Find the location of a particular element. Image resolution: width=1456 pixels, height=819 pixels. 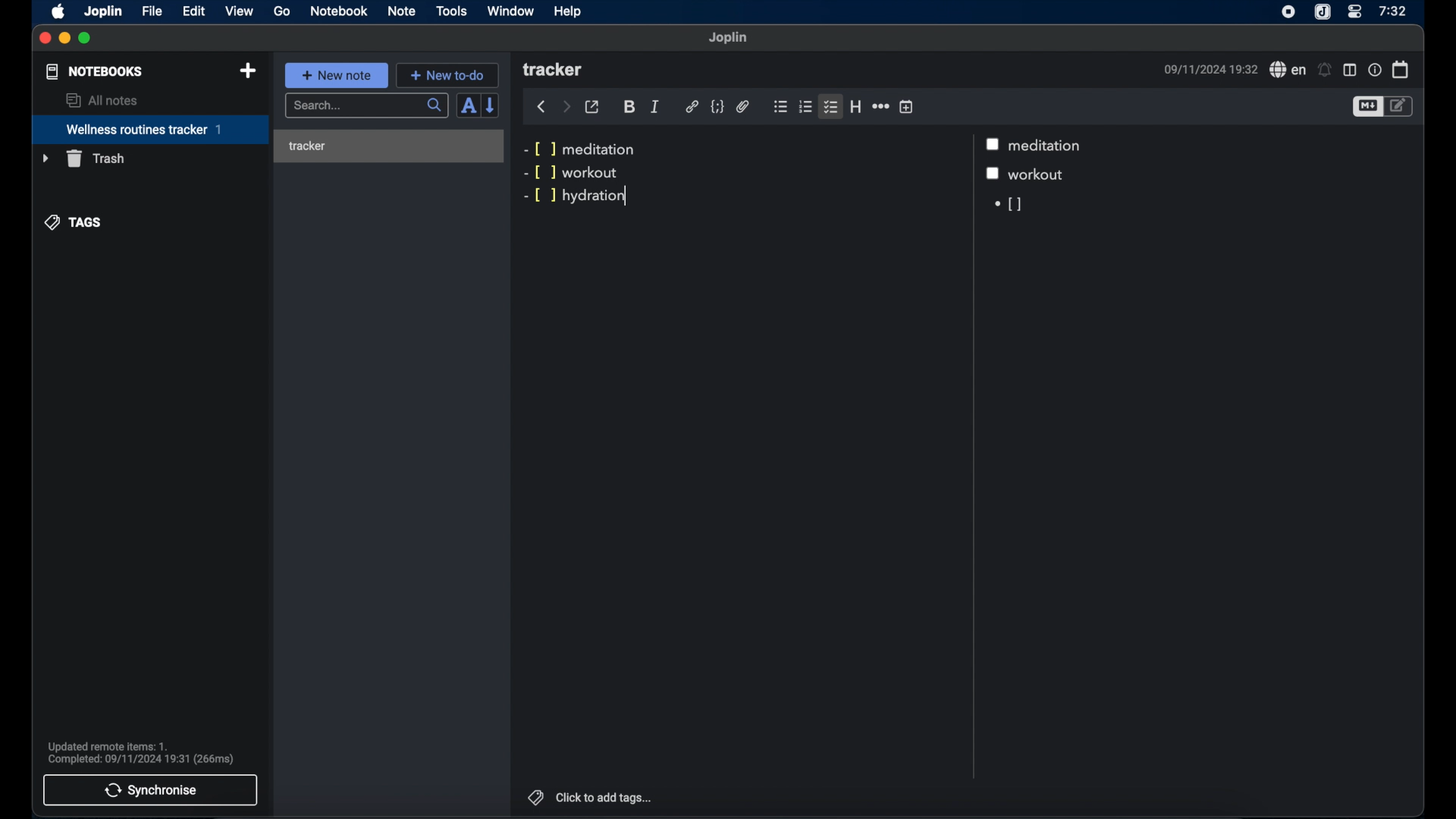

apple icon is located at coordinates (59, 12).